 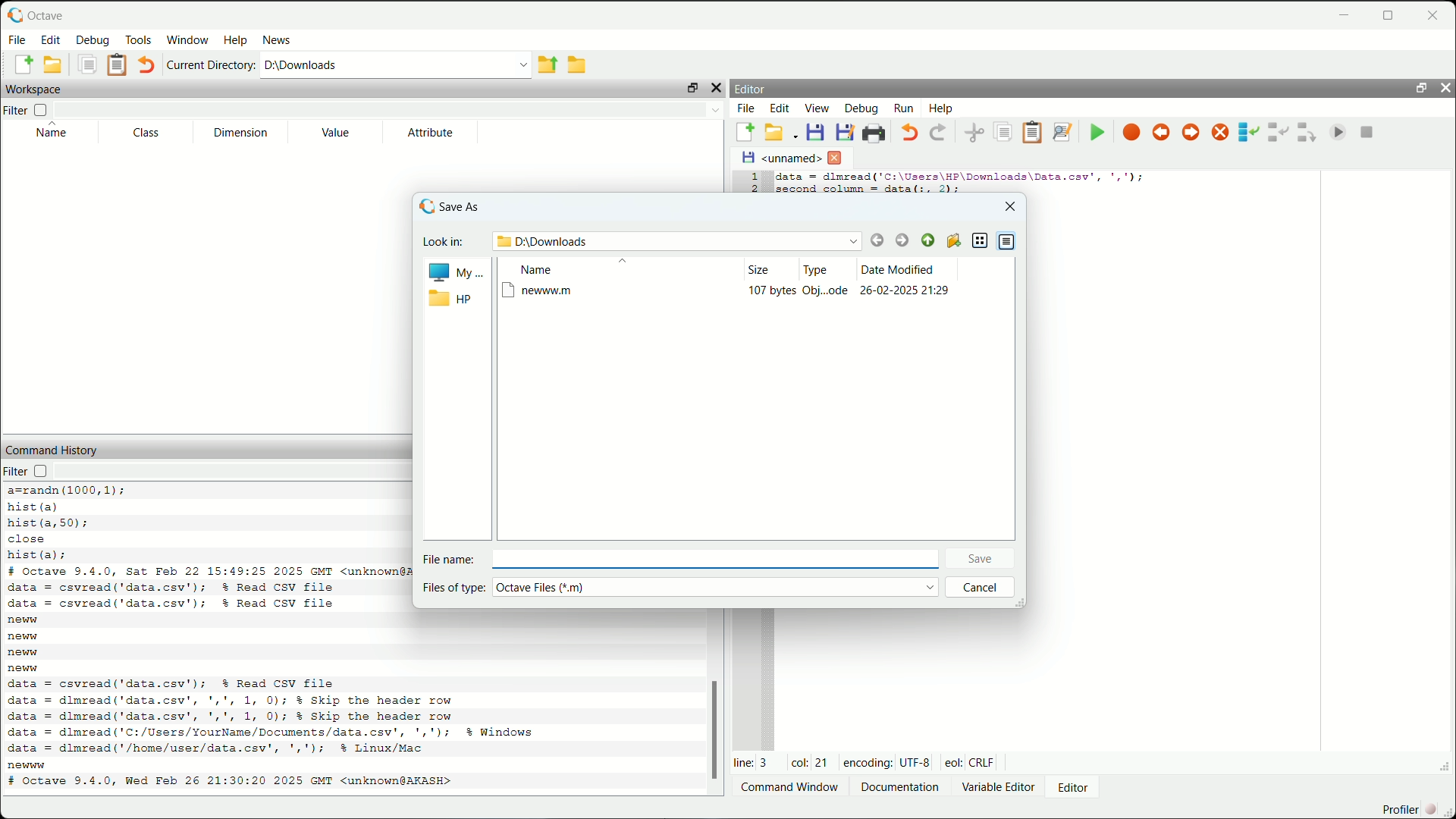 I want to click on detail view, so click(x=1009, y=242).